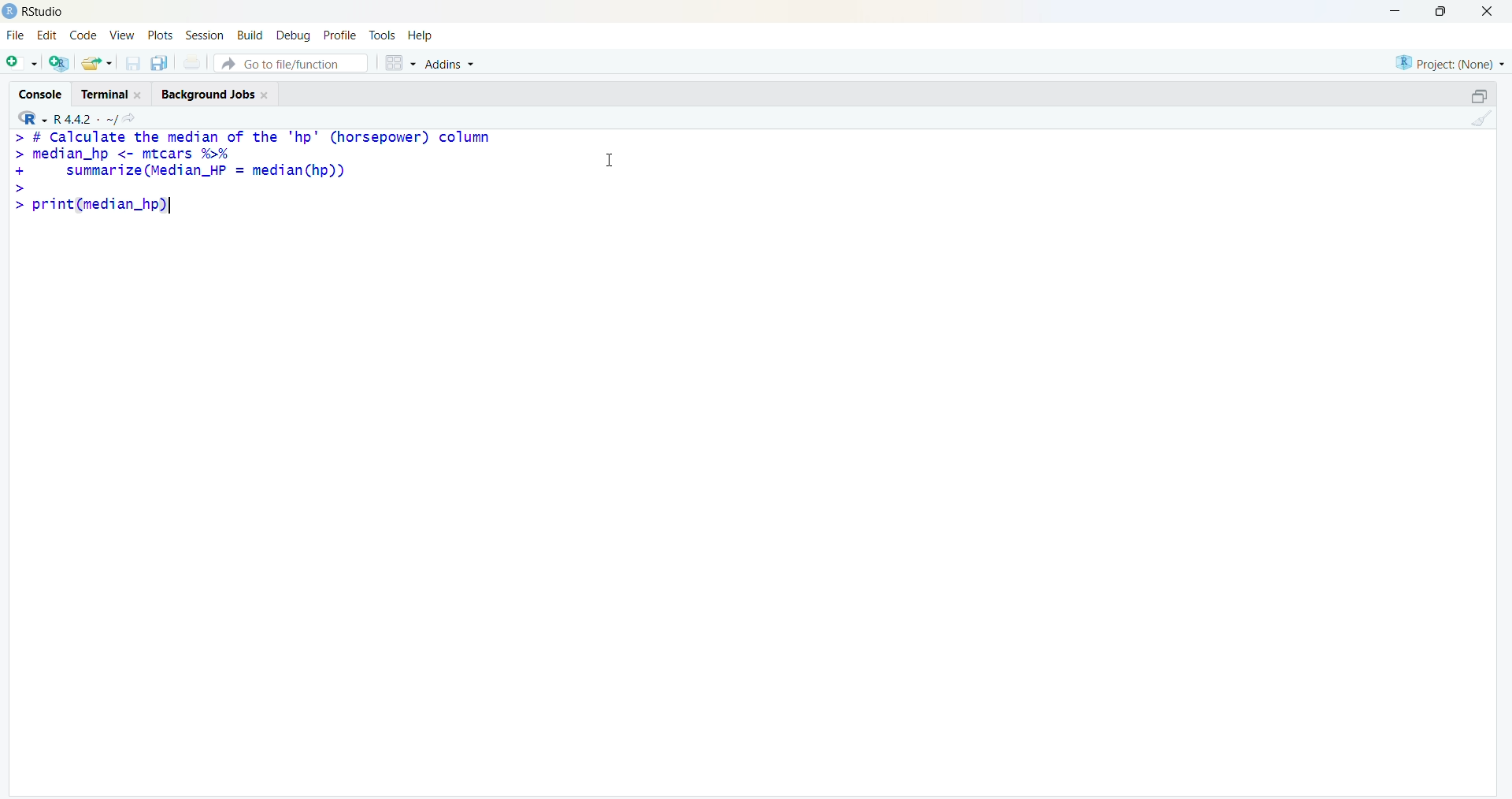 The width and height of the screenshot is (1512, 799). What do you see at coordinates (292, 63) in the screenshot?
I see `go to file/function` at bounding box center [292, 63].